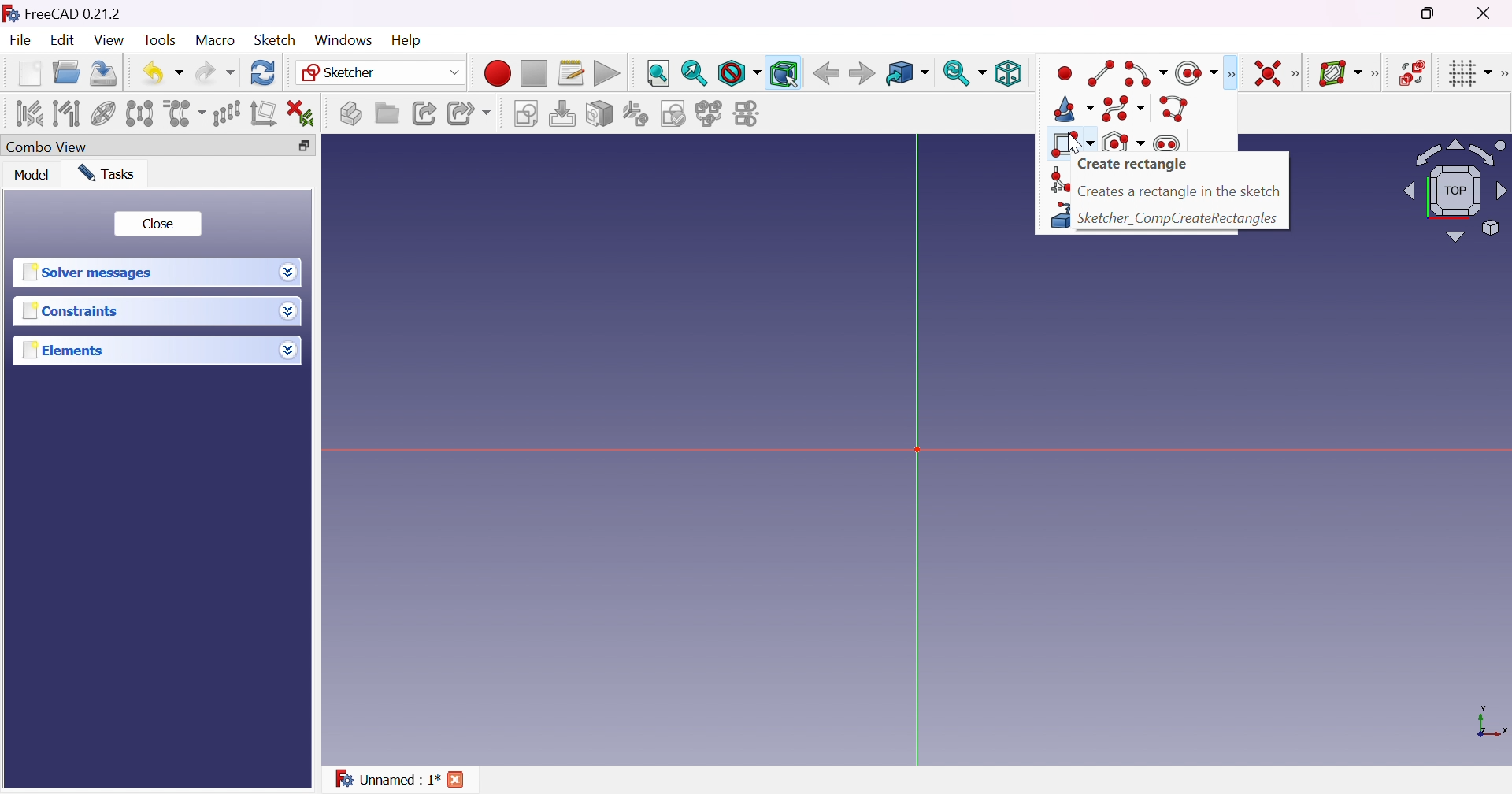  I want to click on Create rectangle, so click(1071, 143).